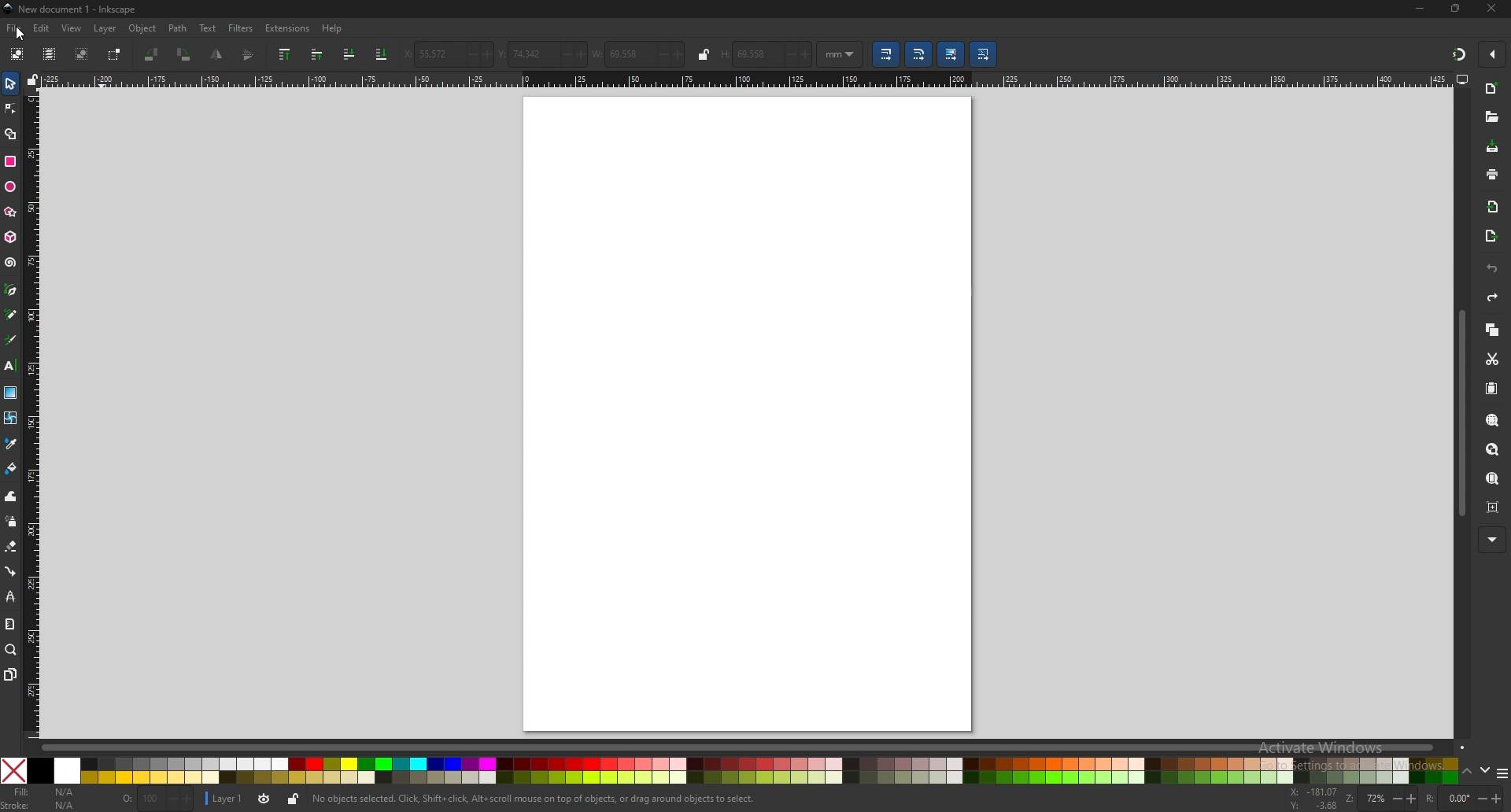  I want to click on pen, so click(11, 290).